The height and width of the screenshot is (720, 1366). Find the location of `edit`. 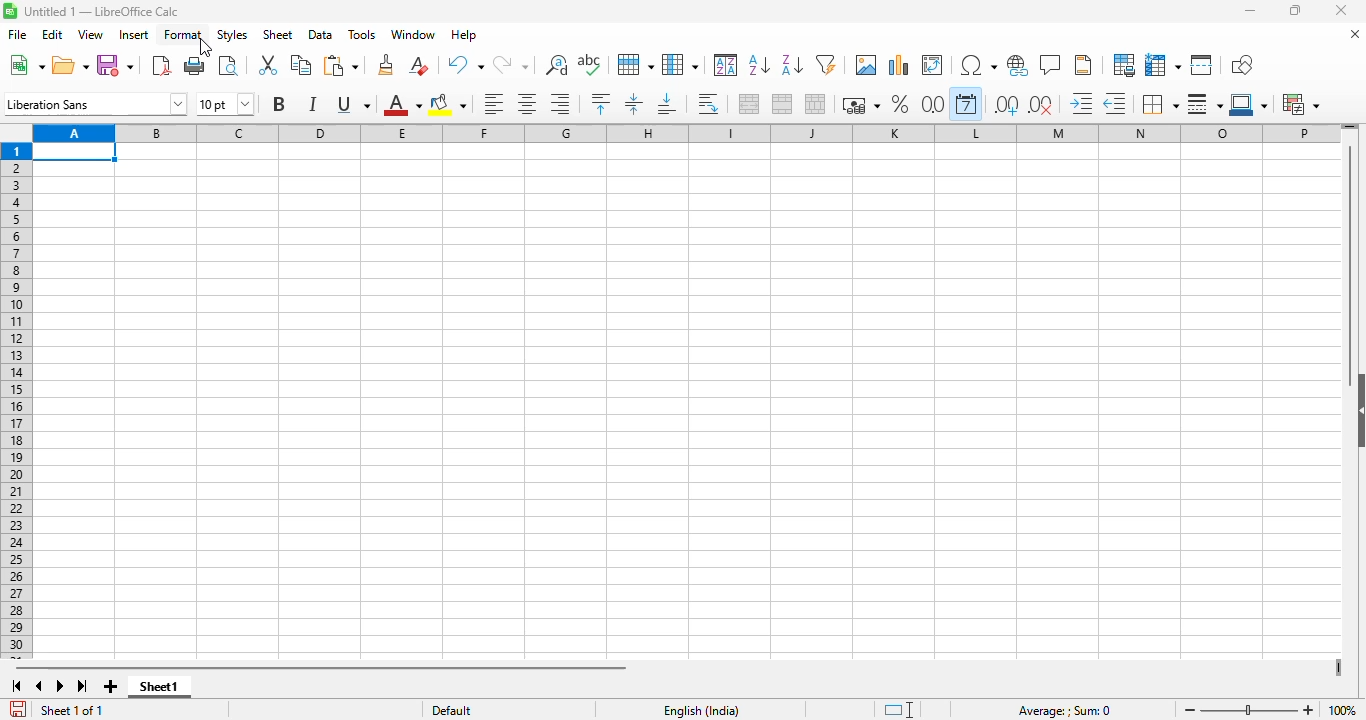

edit is located at coordinates (52, 35).